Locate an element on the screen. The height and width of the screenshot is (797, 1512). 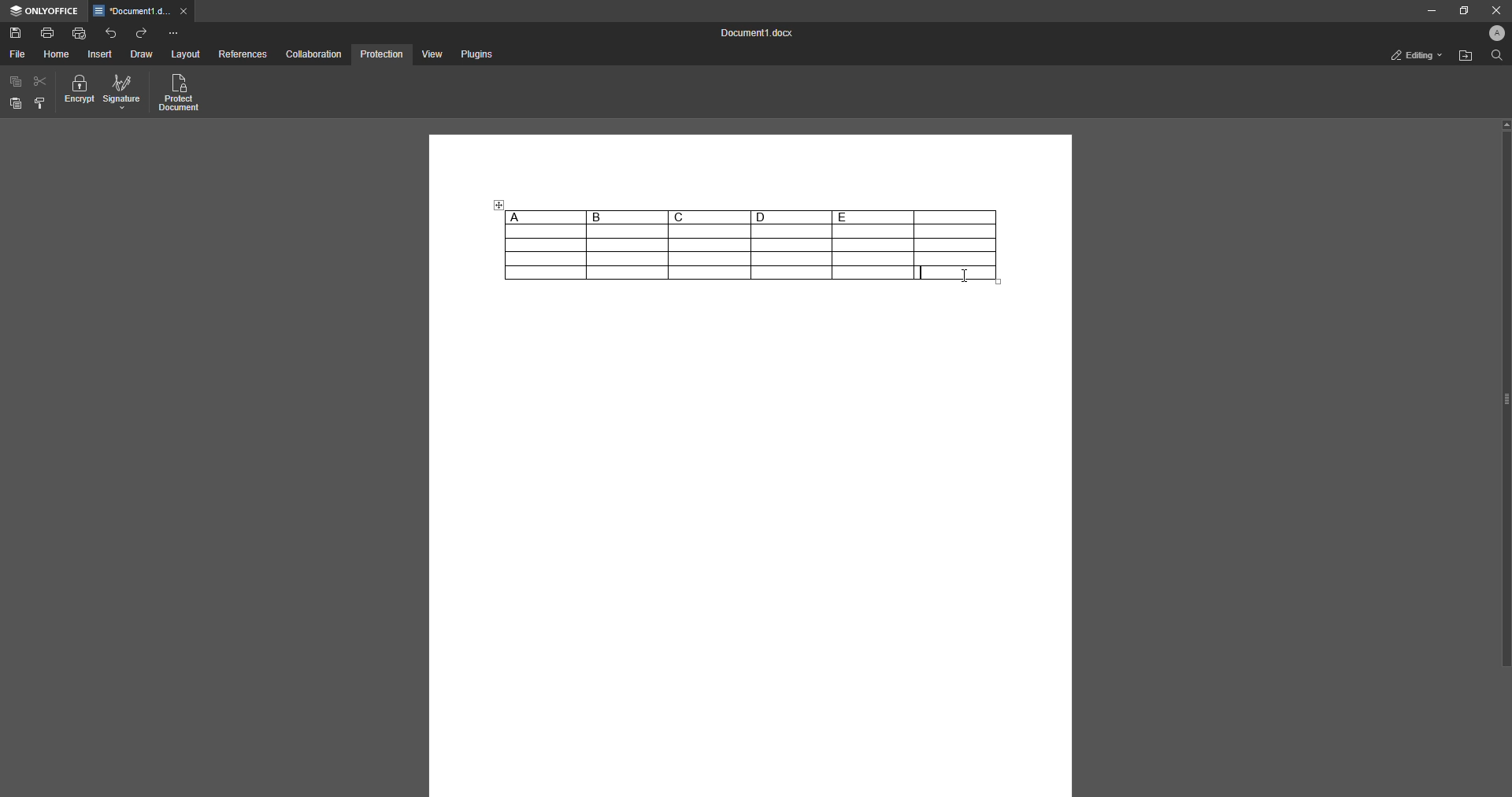
Search is located at coordinates (1495, 57).